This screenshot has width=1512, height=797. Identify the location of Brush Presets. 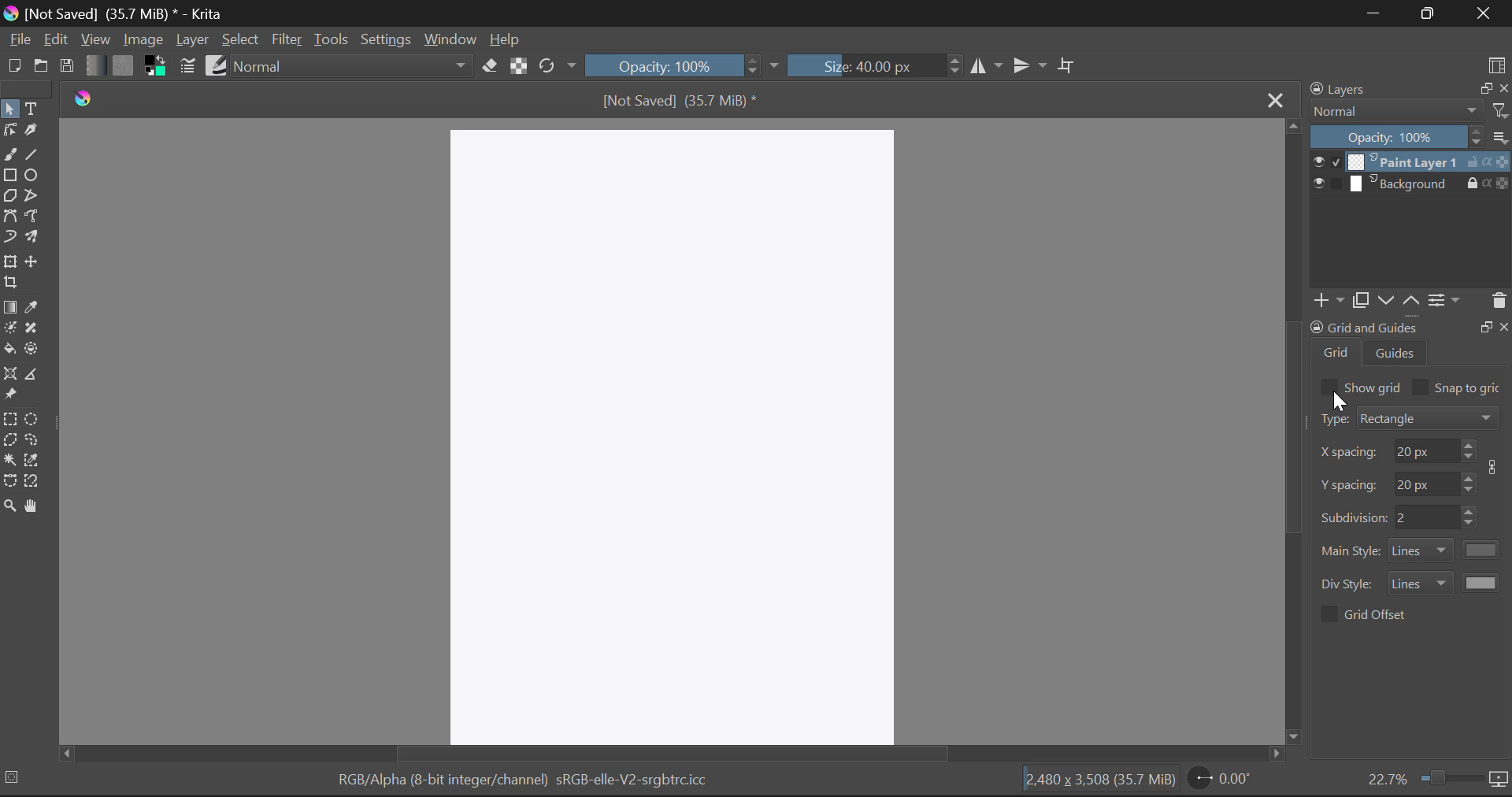
(217, 65).